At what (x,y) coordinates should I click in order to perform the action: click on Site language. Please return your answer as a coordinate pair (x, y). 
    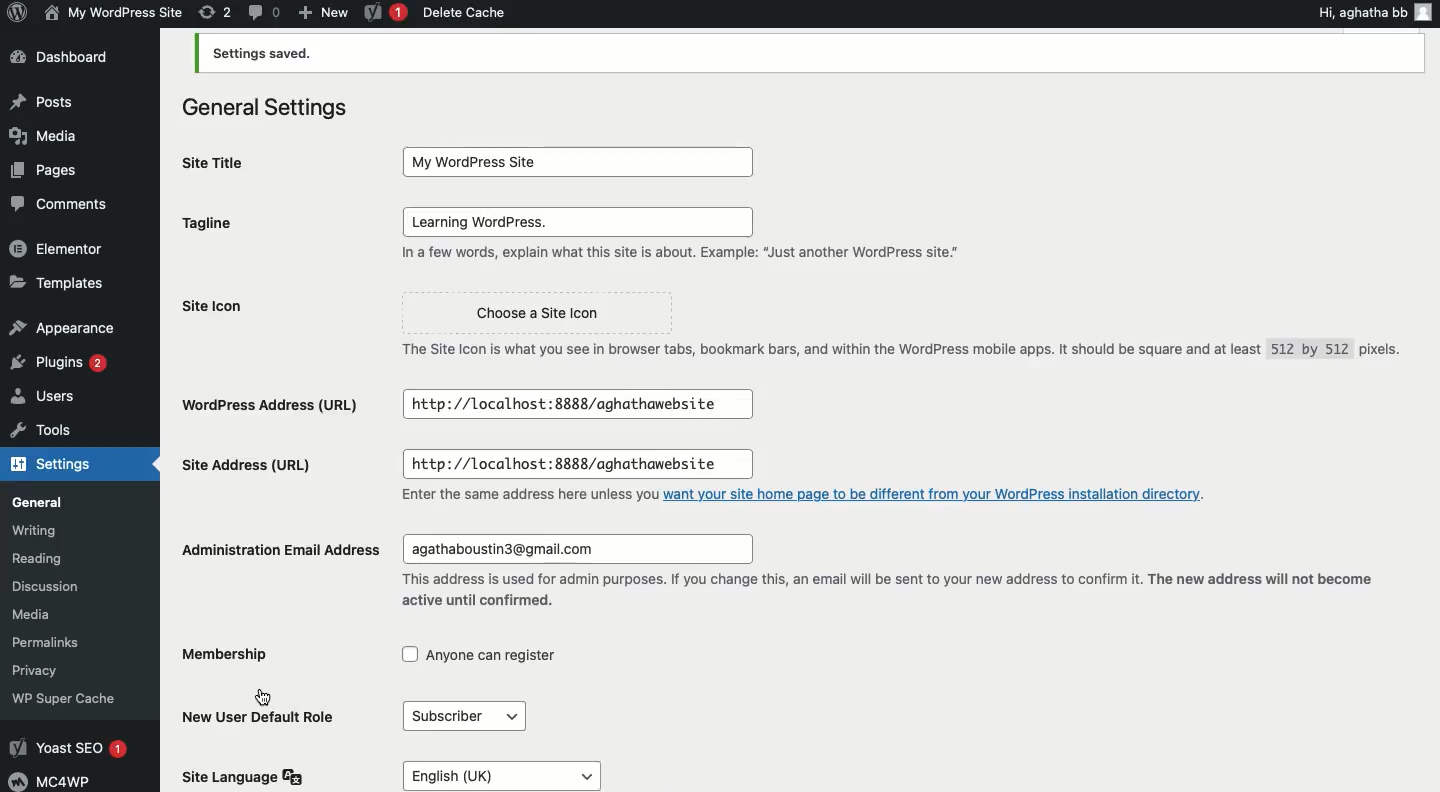
    Looking at the image, I should click on (250, 778).